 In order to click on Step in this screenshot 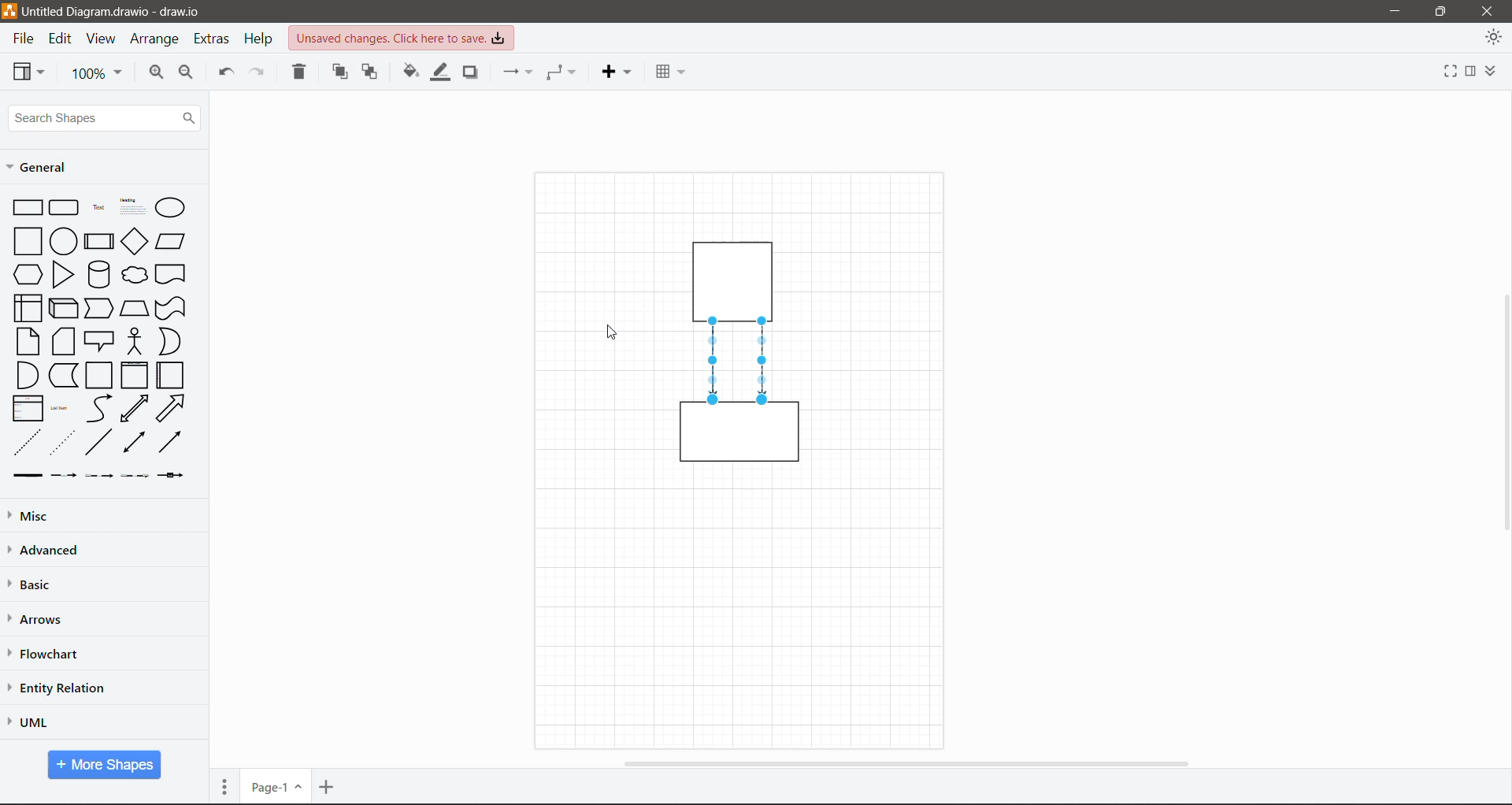, I will do `click(99, 306)`.